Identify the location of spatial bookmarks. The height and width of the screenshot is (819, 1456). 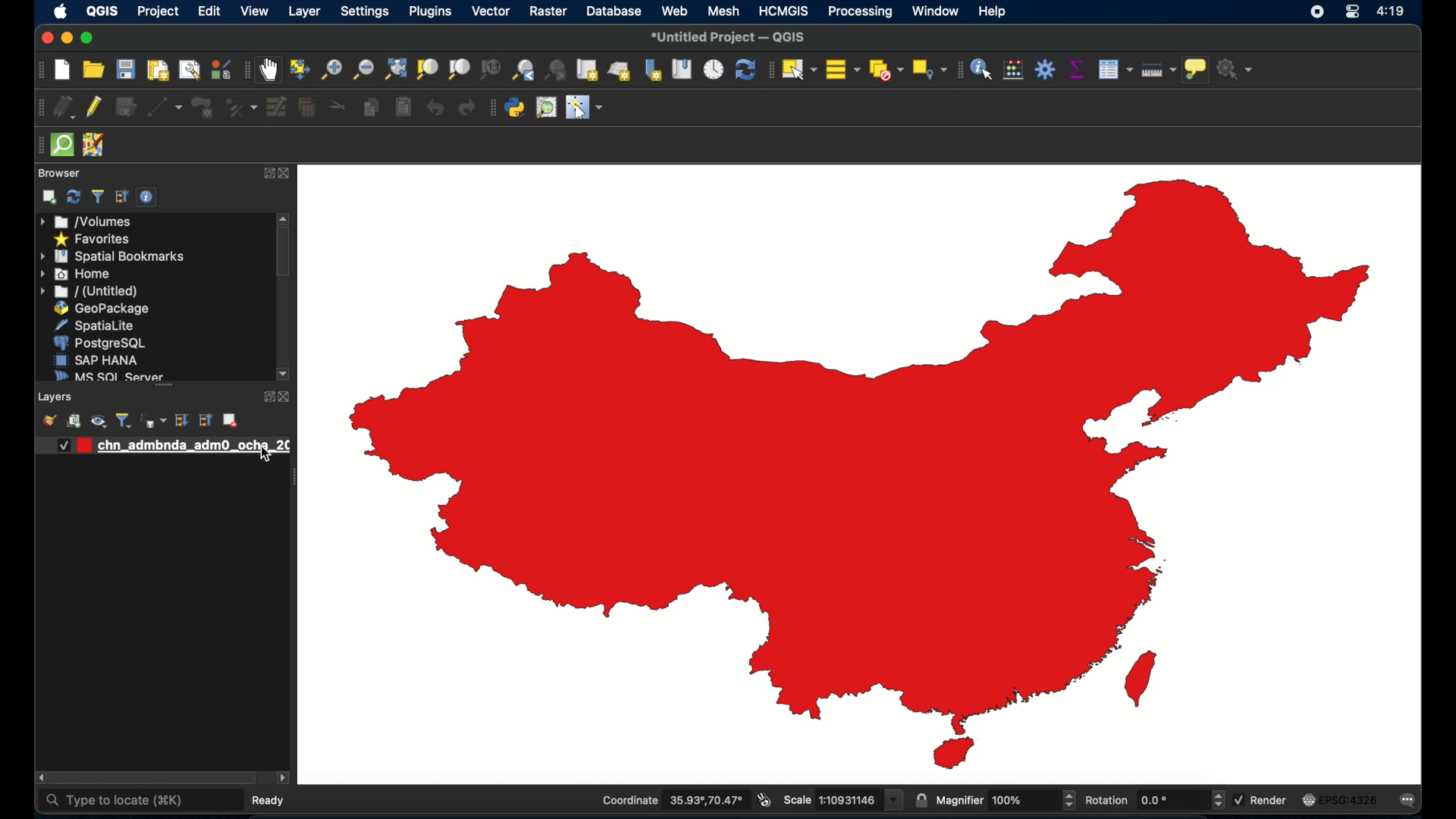
(113, 256).